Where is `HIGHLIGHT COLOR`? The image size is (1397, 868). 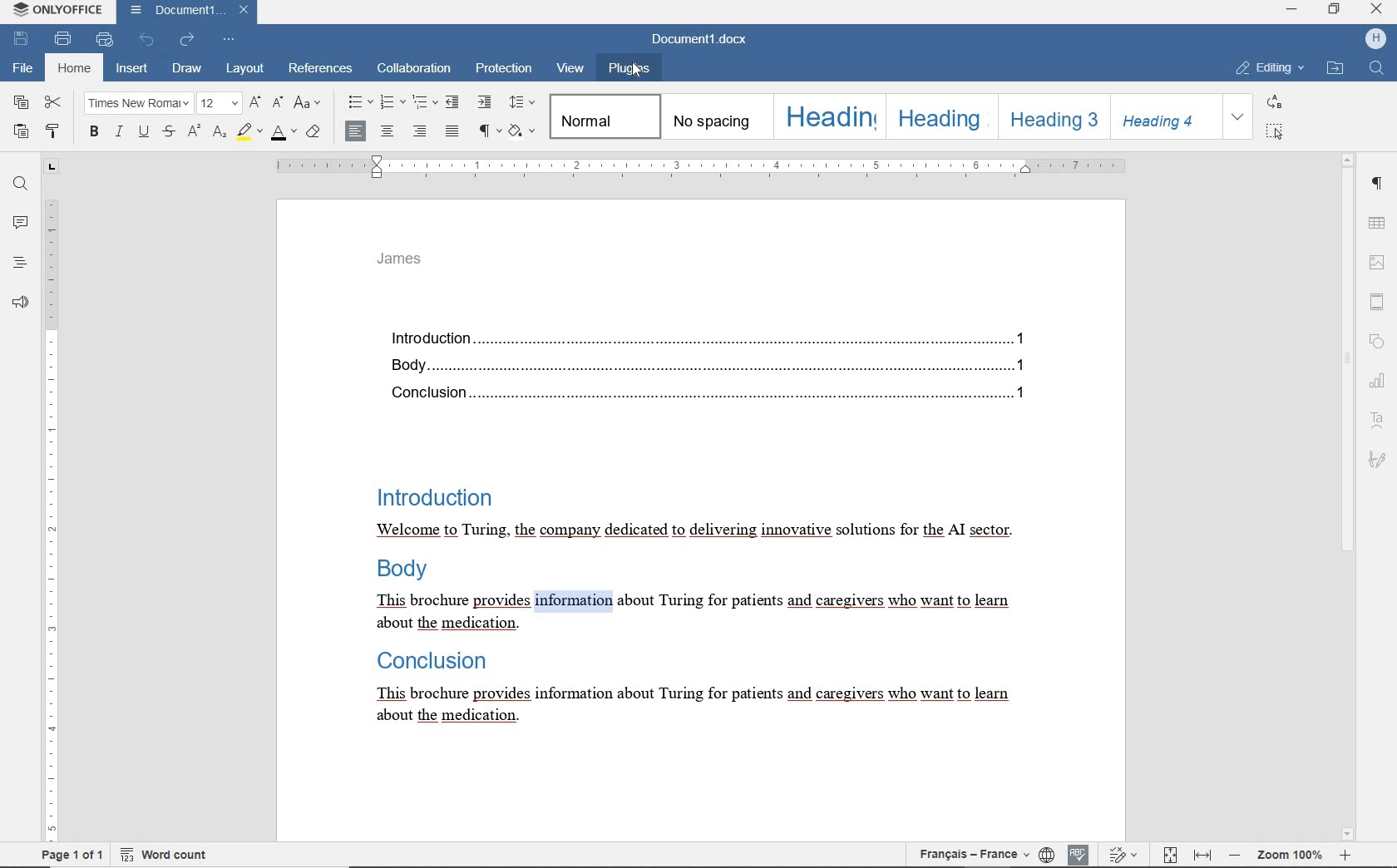 HIGHLIGHT COLOR is located at coordinates (251, 131).